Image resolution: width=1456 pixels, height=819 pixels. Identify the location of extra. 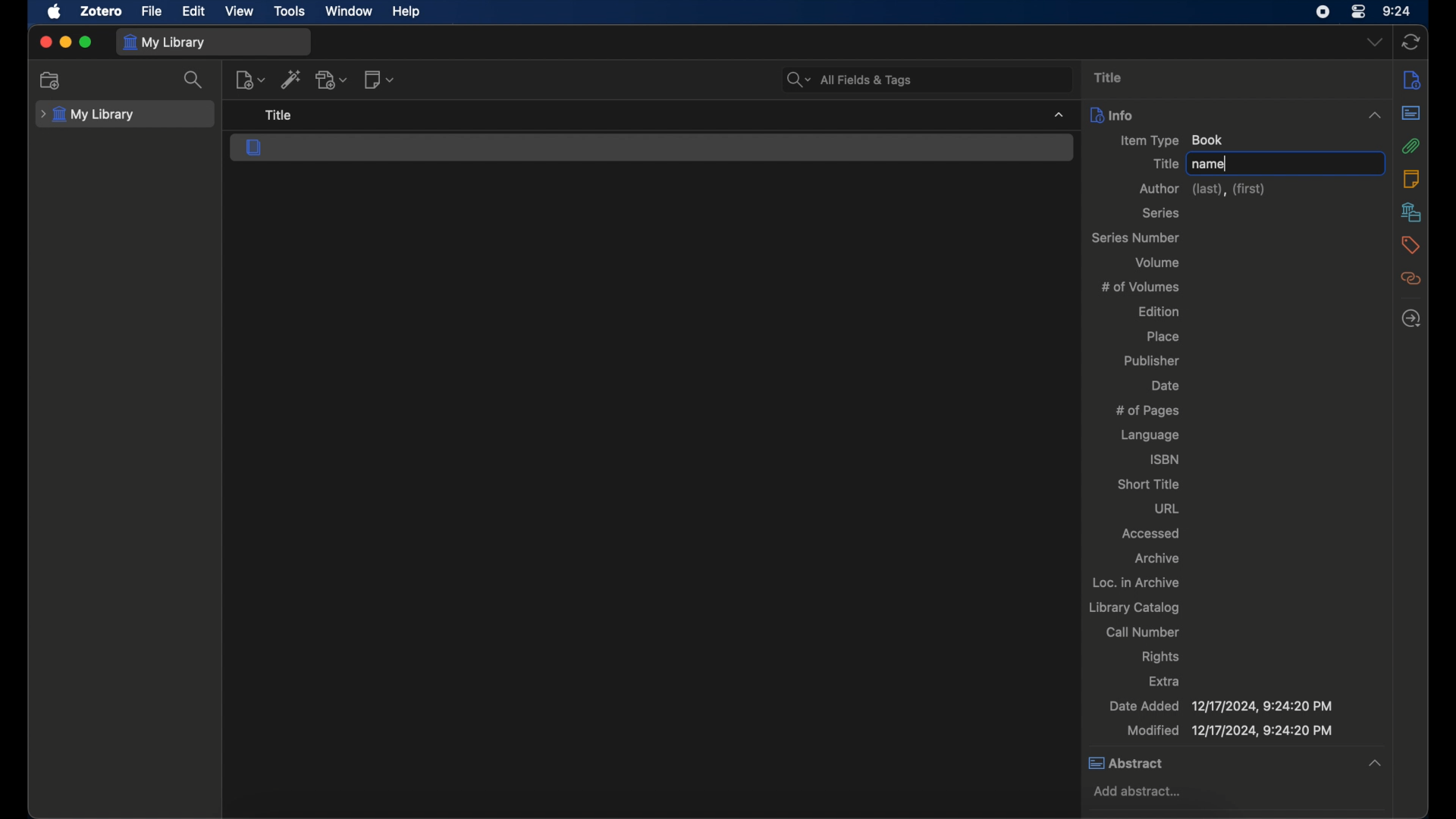
(1165, 680).